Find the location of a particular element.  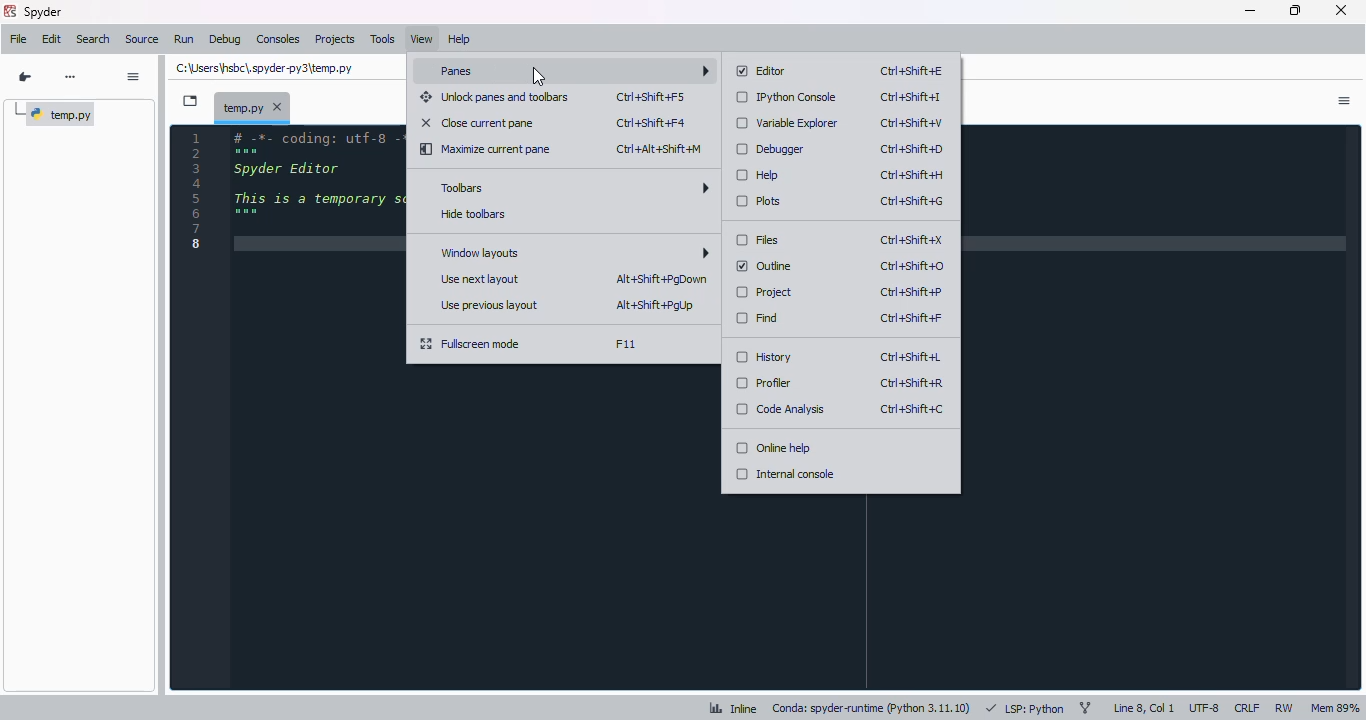

use previous layout is located at coordinates (488, 305).